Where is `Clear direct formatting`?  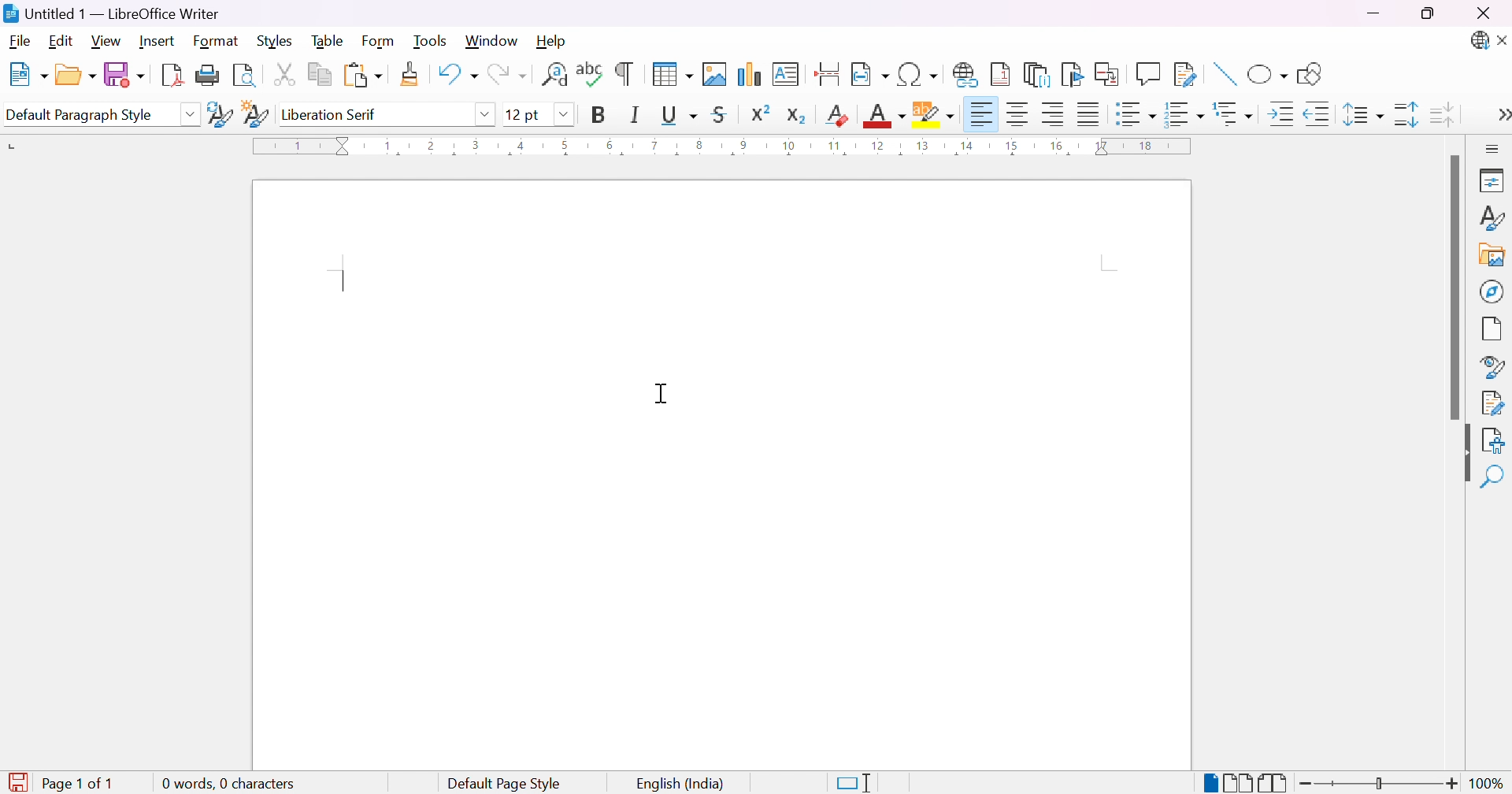
Clear direct formatting is located at coordinates (839, 114).